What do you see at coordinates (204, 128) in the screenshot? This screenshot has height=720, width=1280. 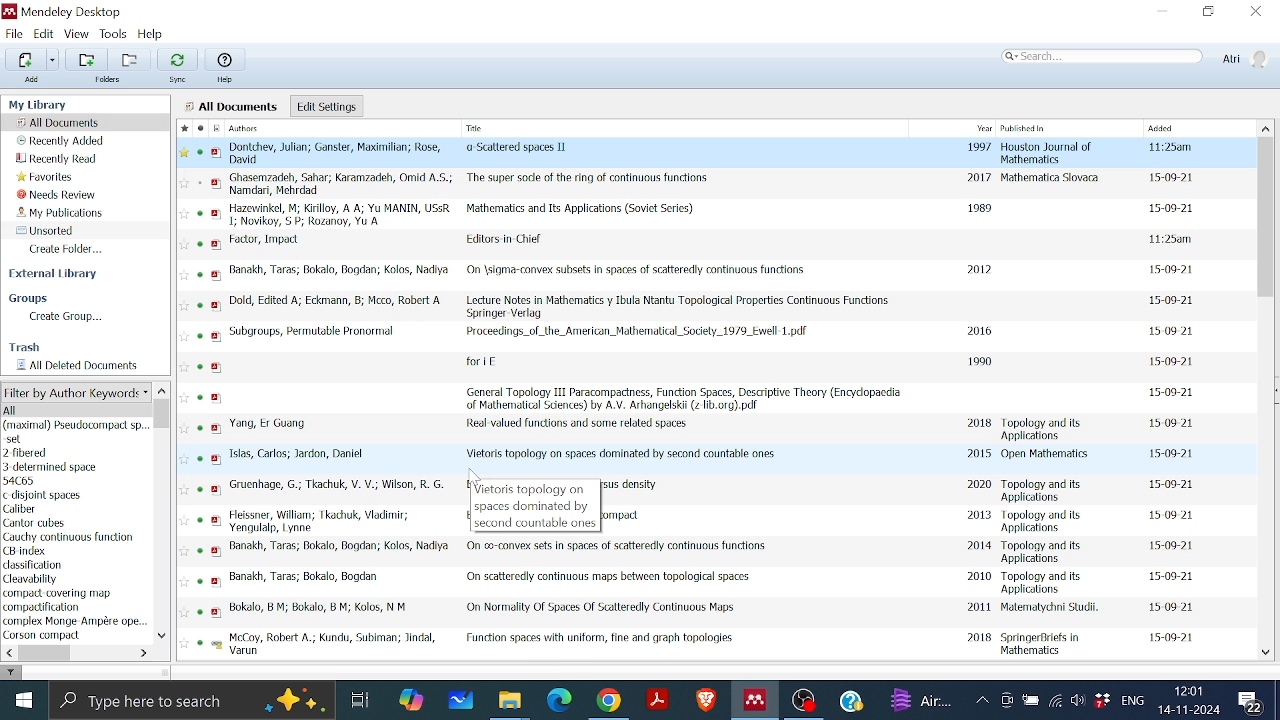 I see `read status` at bounding box center [204, 128].